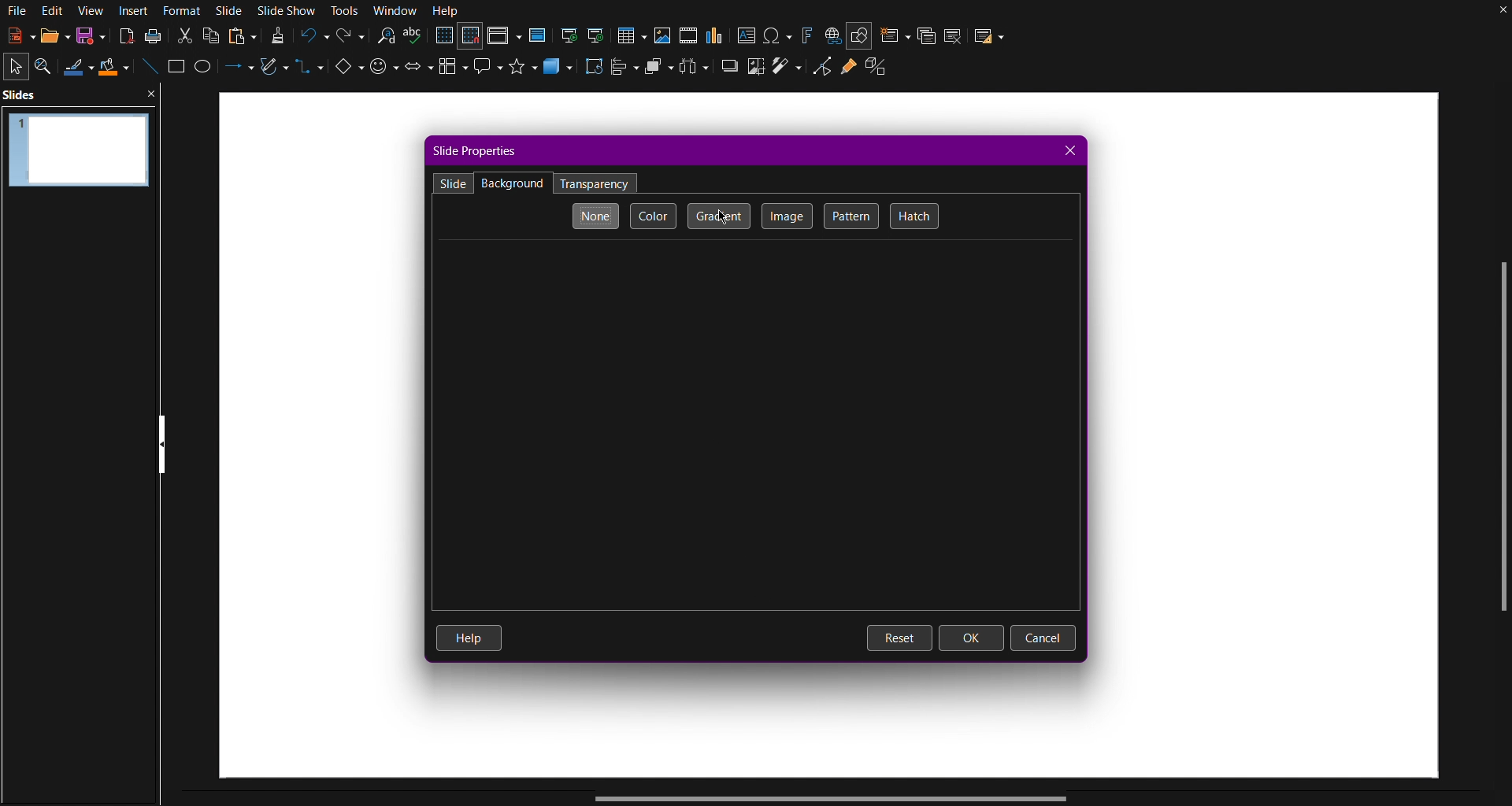 This screenshot has width=1512, height=806. I want to click on Cursor, so click(722, 215).